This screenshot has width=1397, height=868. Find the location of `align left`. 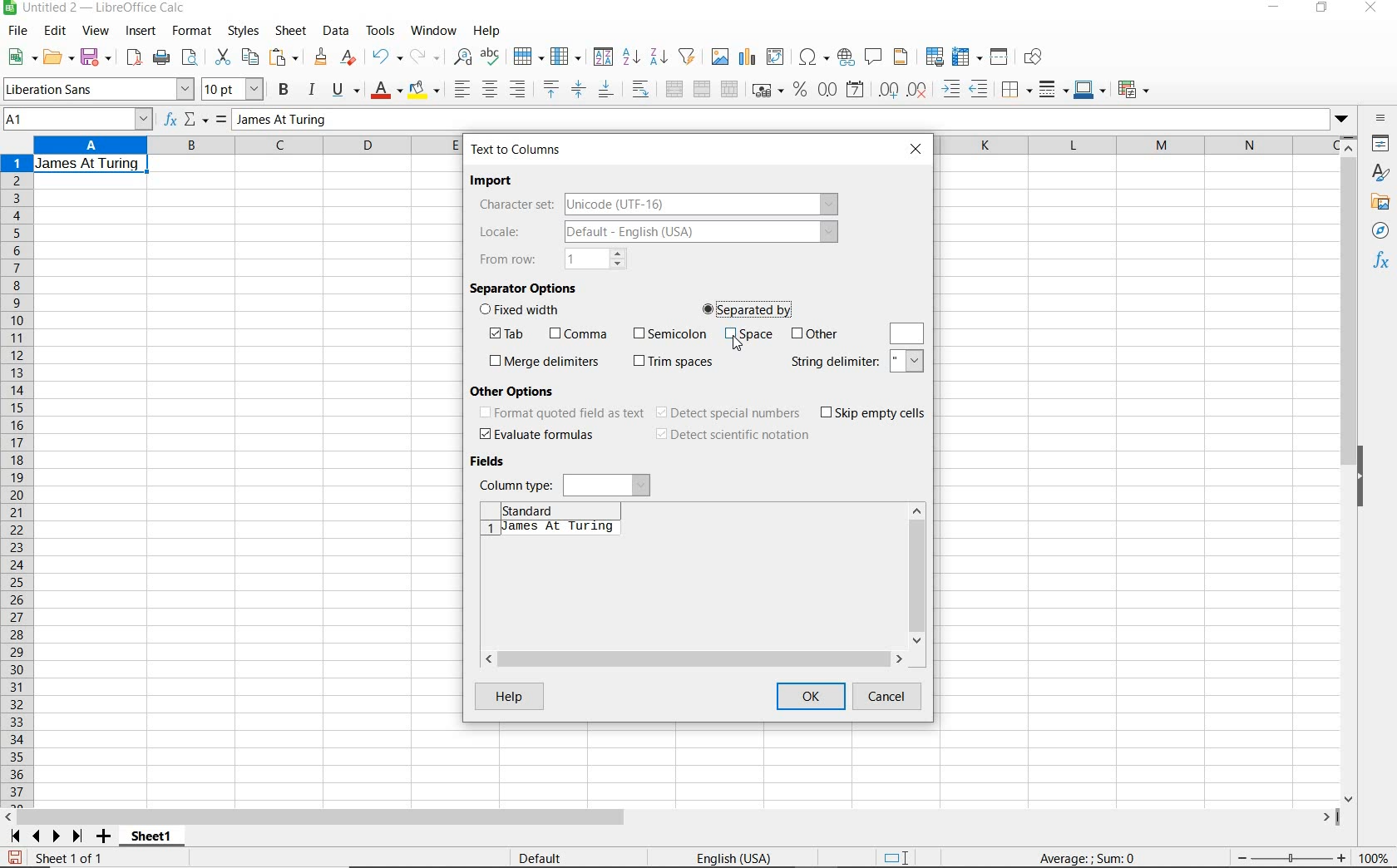

align left is located at coordinates (459, 86).